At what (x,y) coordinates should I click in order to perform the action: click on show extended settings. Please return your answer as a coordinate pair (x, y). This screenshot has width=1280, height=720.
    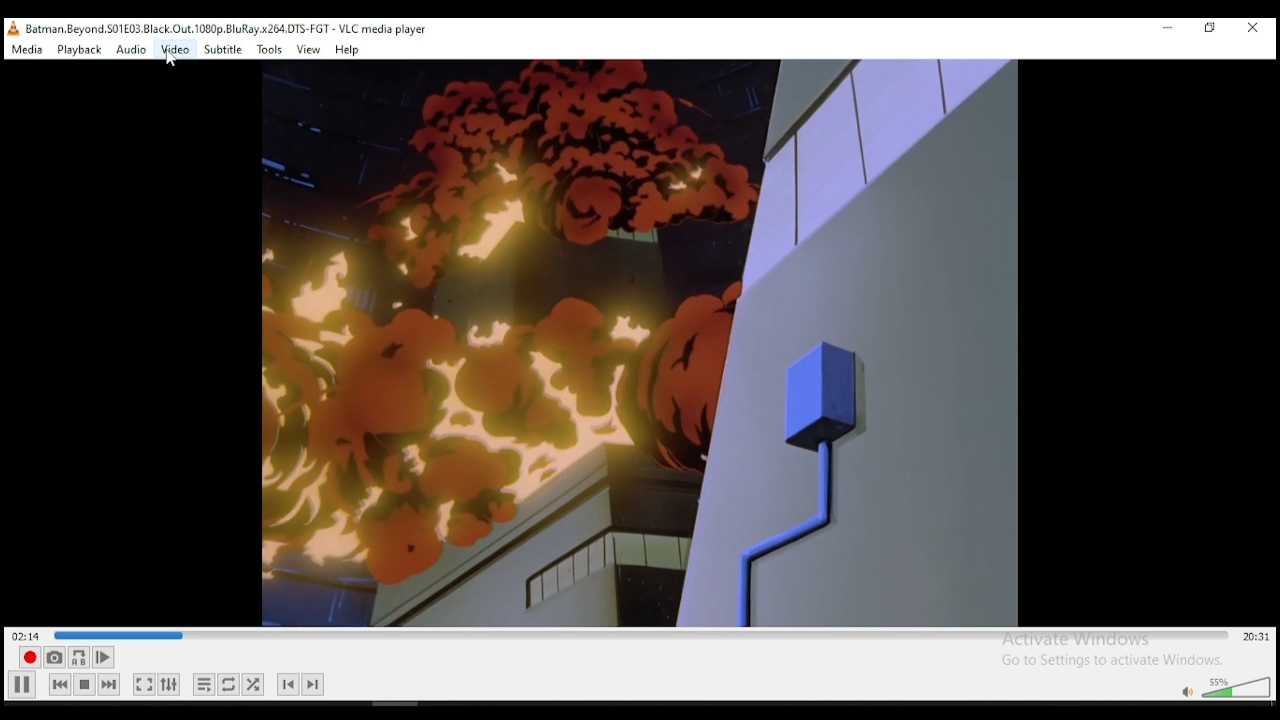
    Looking at the image, I should click on (169, 684).